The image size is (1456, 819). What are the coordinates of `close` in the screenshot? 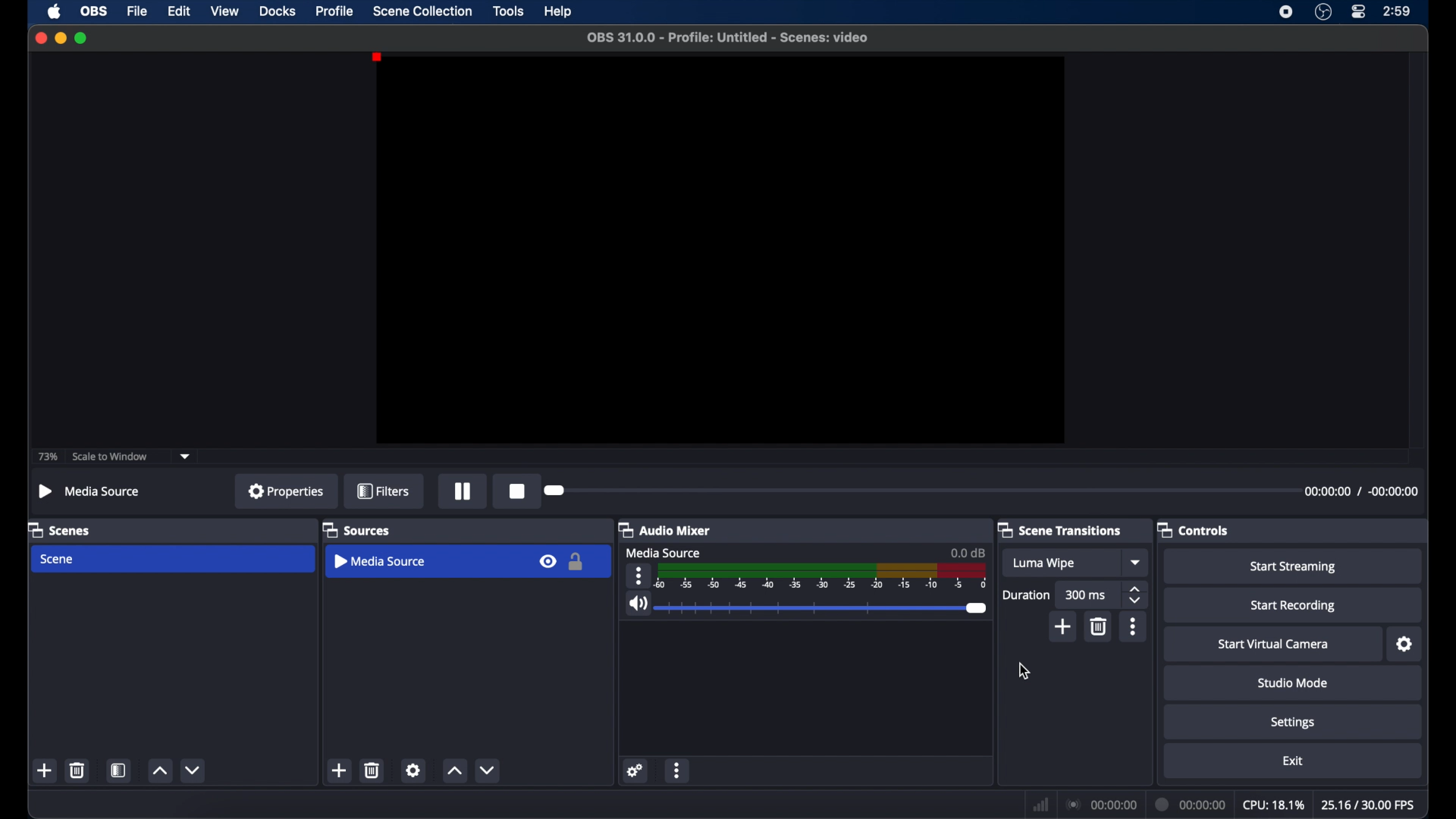 It's located at (40, 38).